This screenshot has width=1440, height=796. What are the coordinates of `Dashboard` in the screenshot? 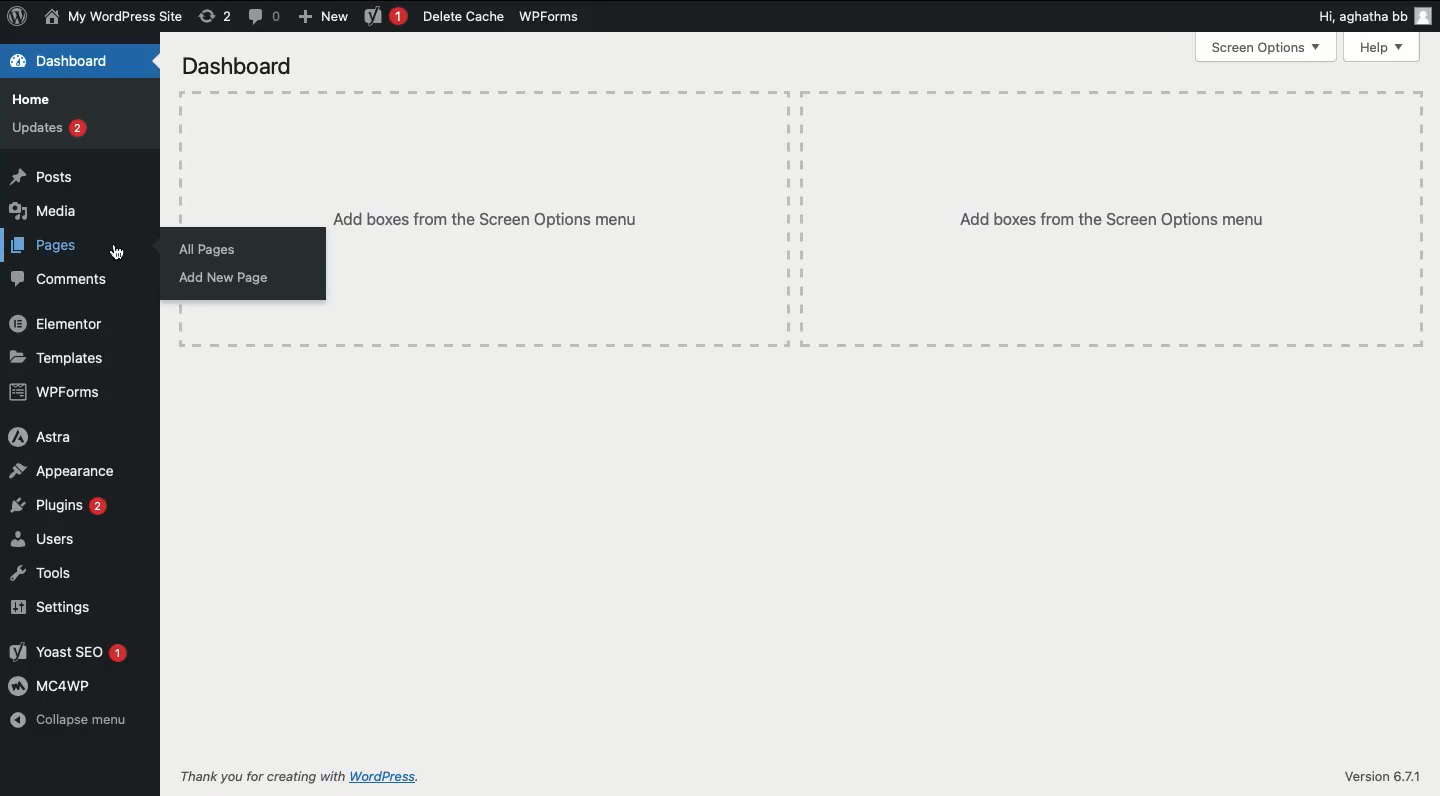 It's located at (66, 62).